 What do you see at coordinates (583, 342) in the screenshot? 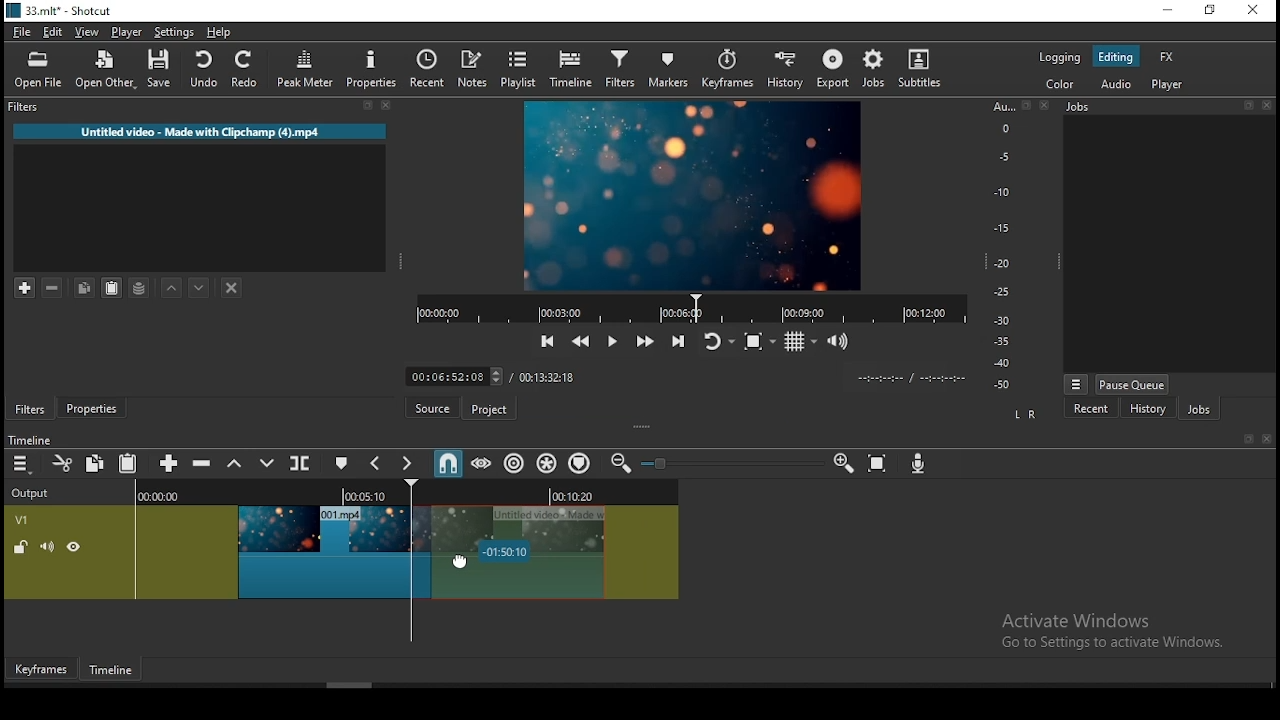
I see `play quickly backward` at bounding box center [583, 342].